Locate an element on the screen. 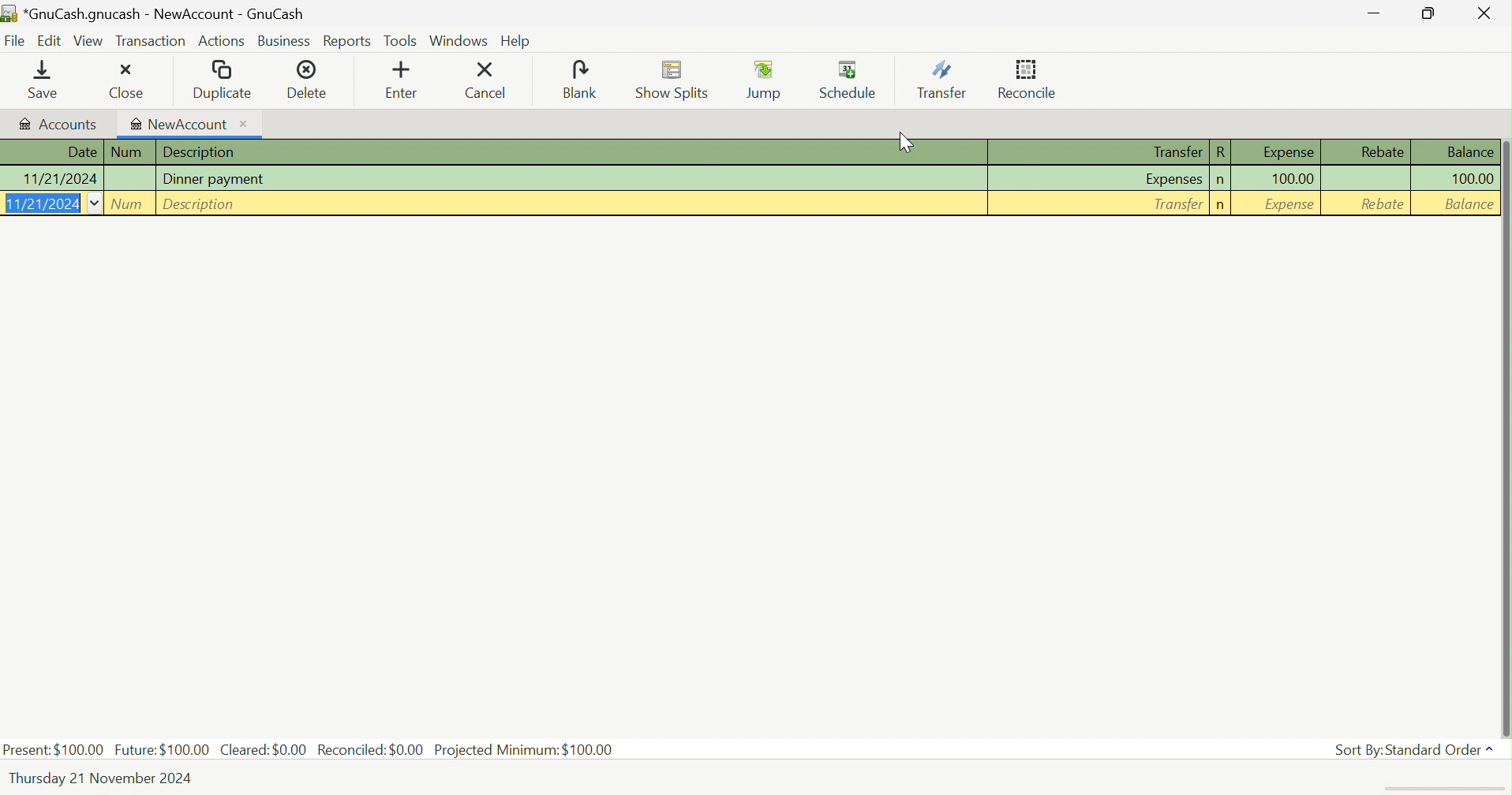  View is located at coordinates (88, 40).